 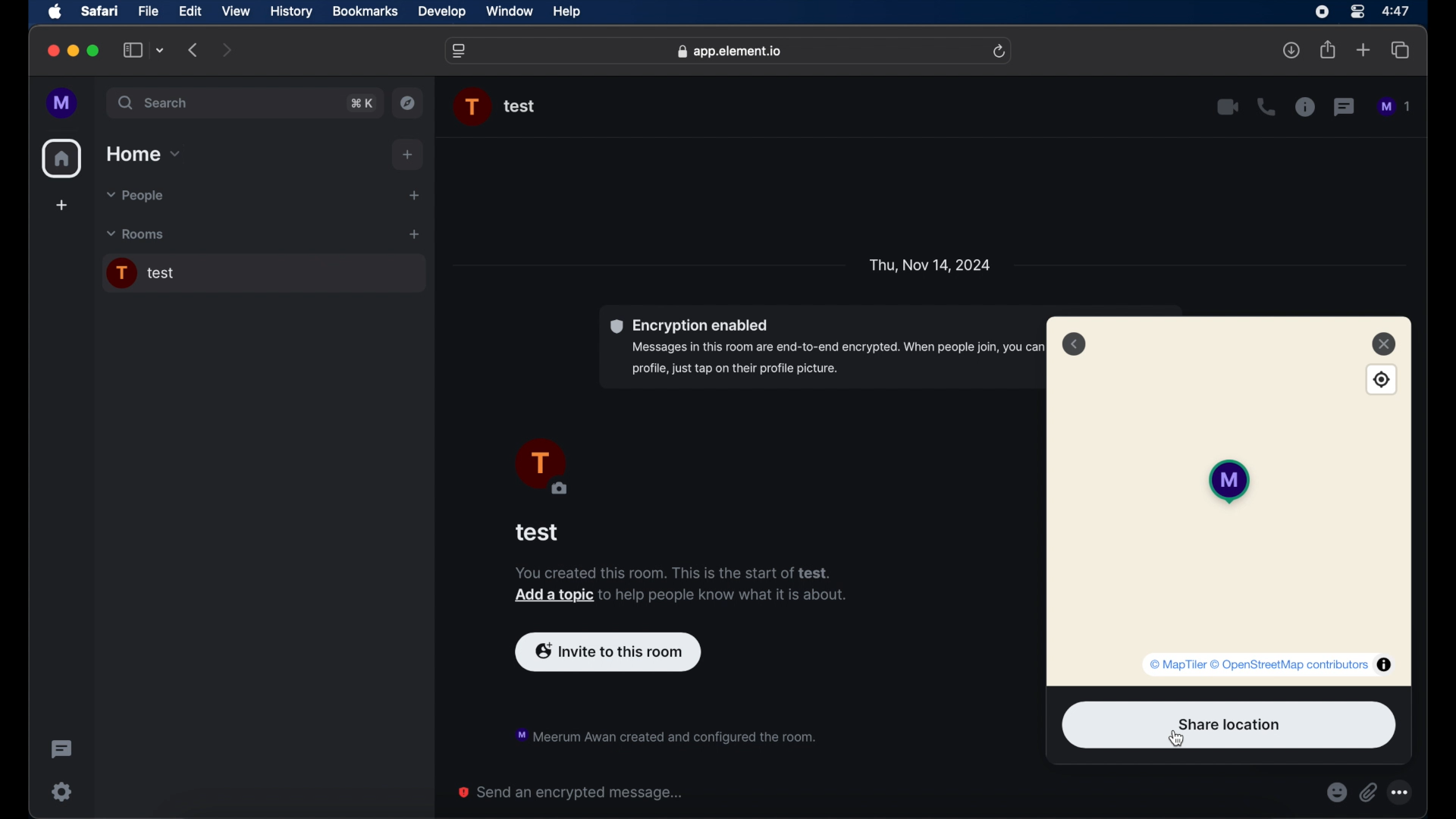 I want to click on window, so click(x=511, y=12).